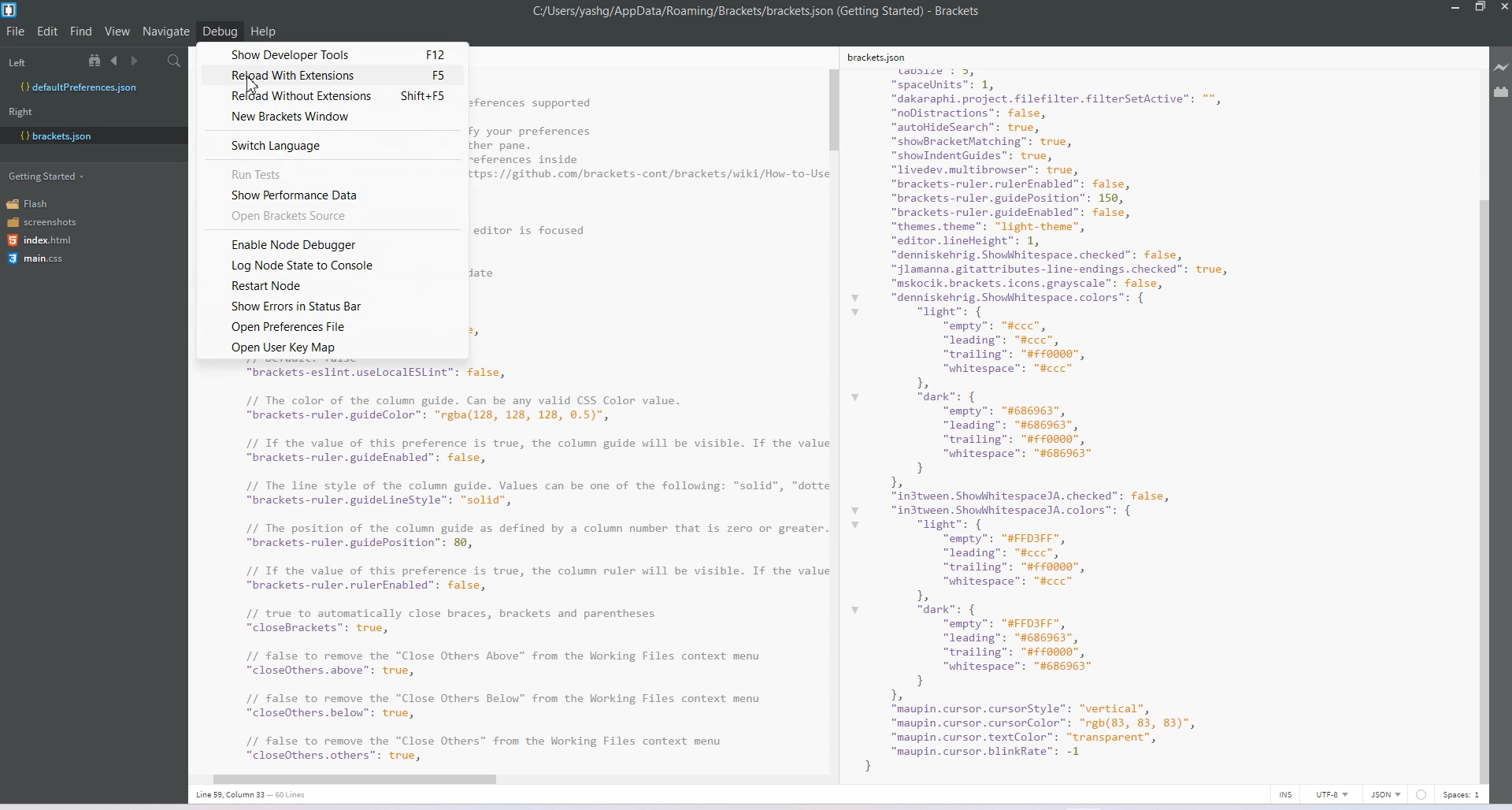  What do you see at coordinates (834, 416) in the screenshot?
I see `Vertical Scroll Bar` at bounding box center [834, 416].